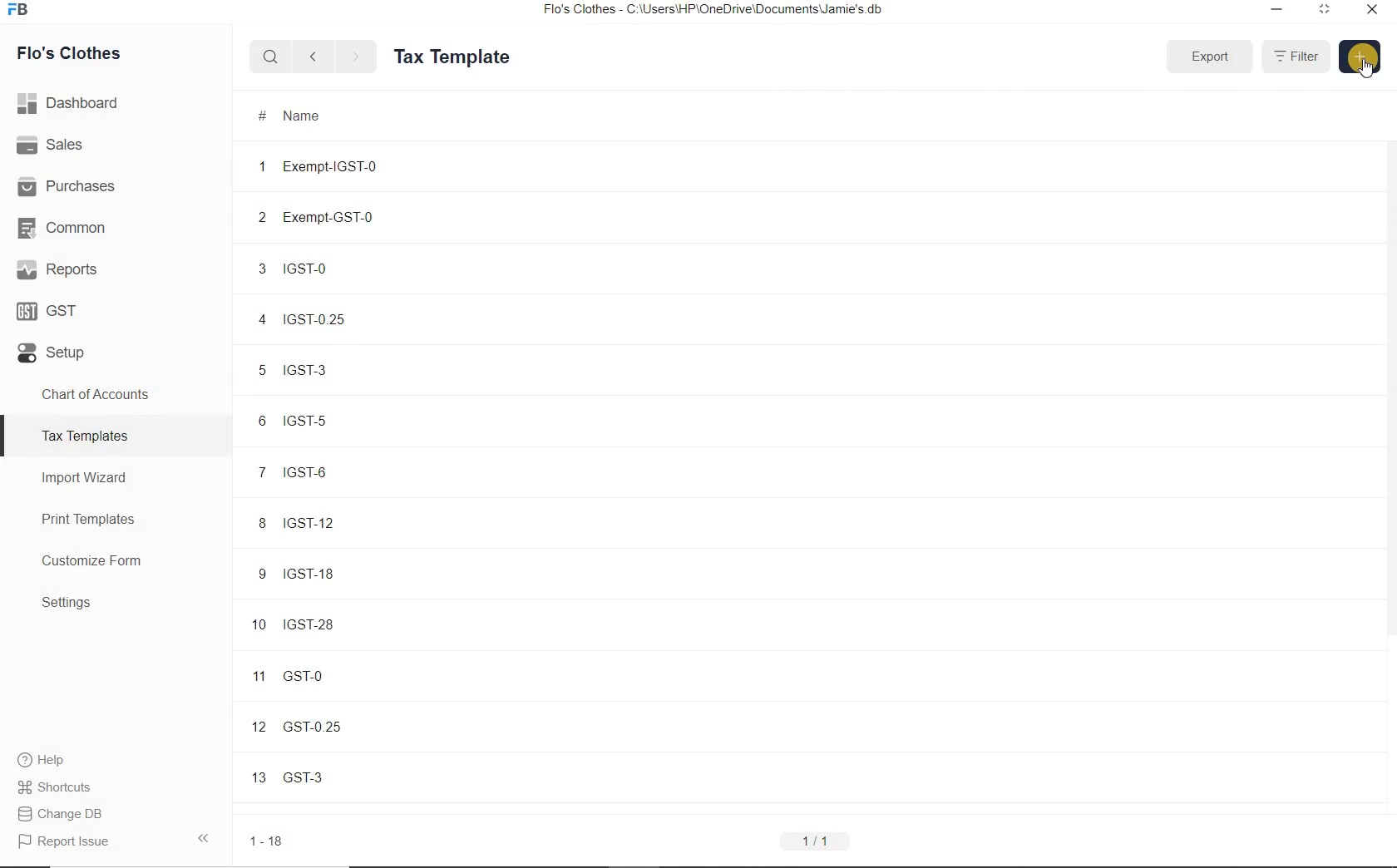  I want to click on FB Logo, so click(17, 10).